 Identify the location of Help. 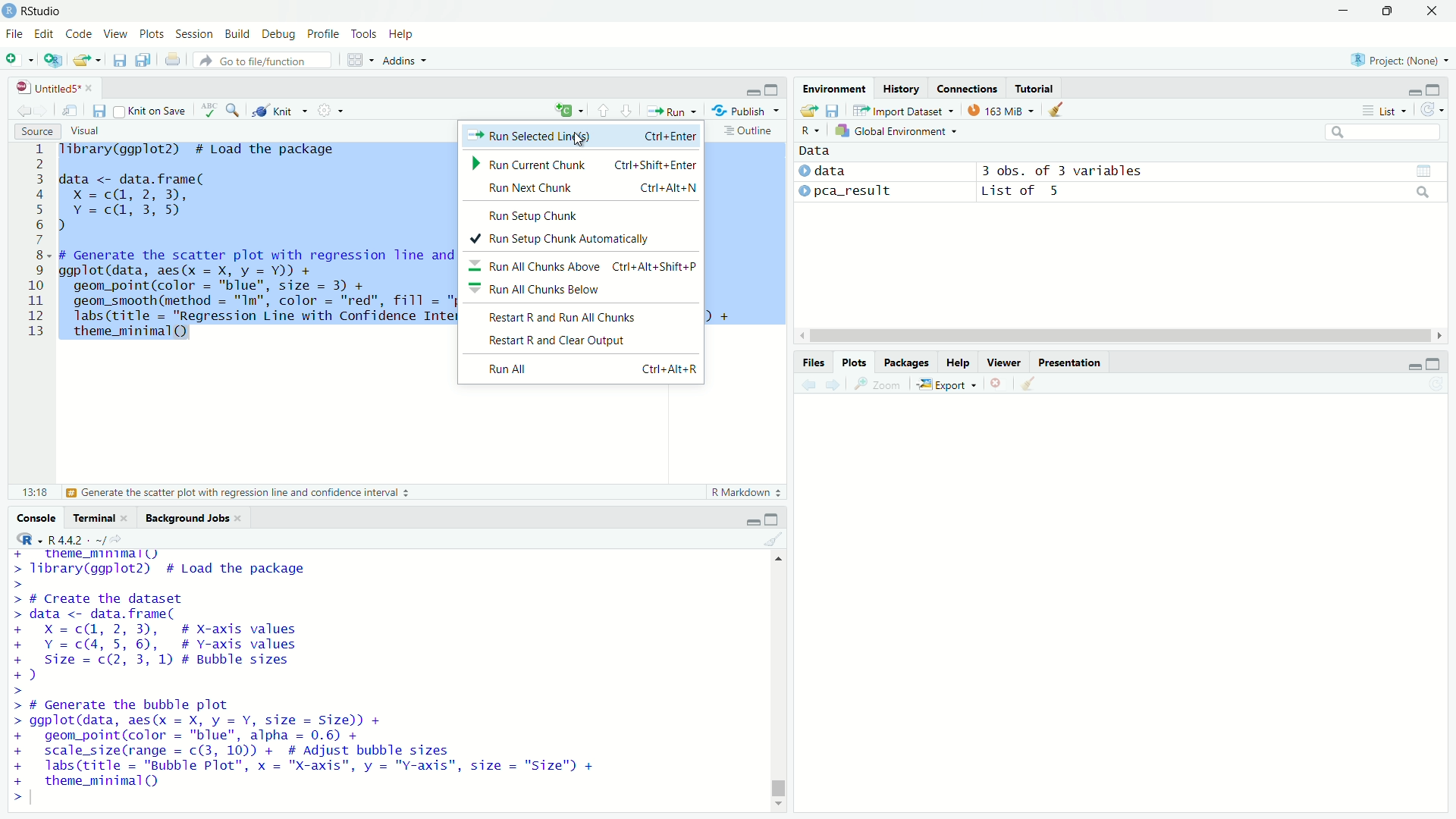
(958, 362).